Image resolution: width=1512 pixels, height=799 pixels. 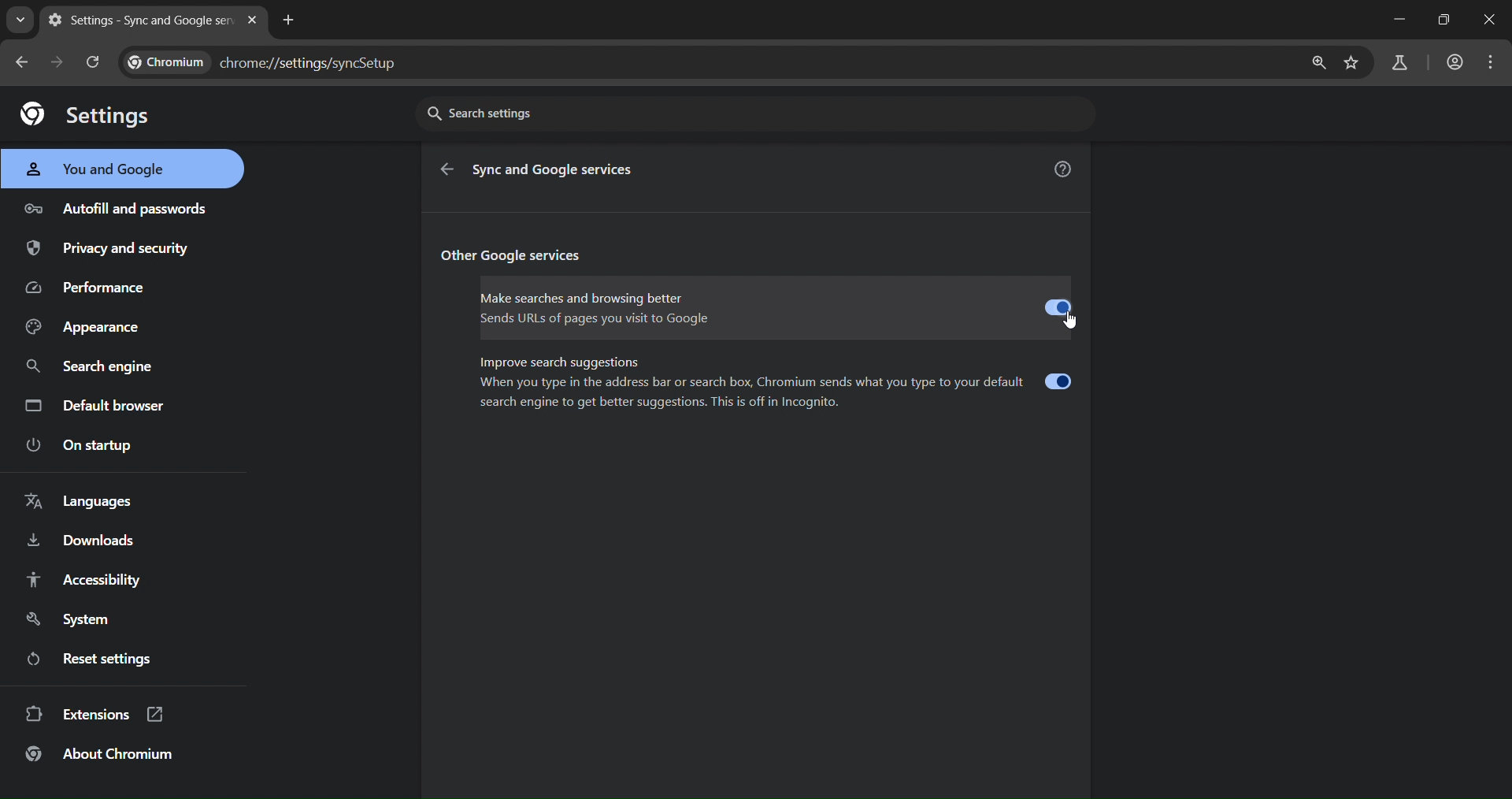 I want to click on close tab, so click(x=251, y=20).